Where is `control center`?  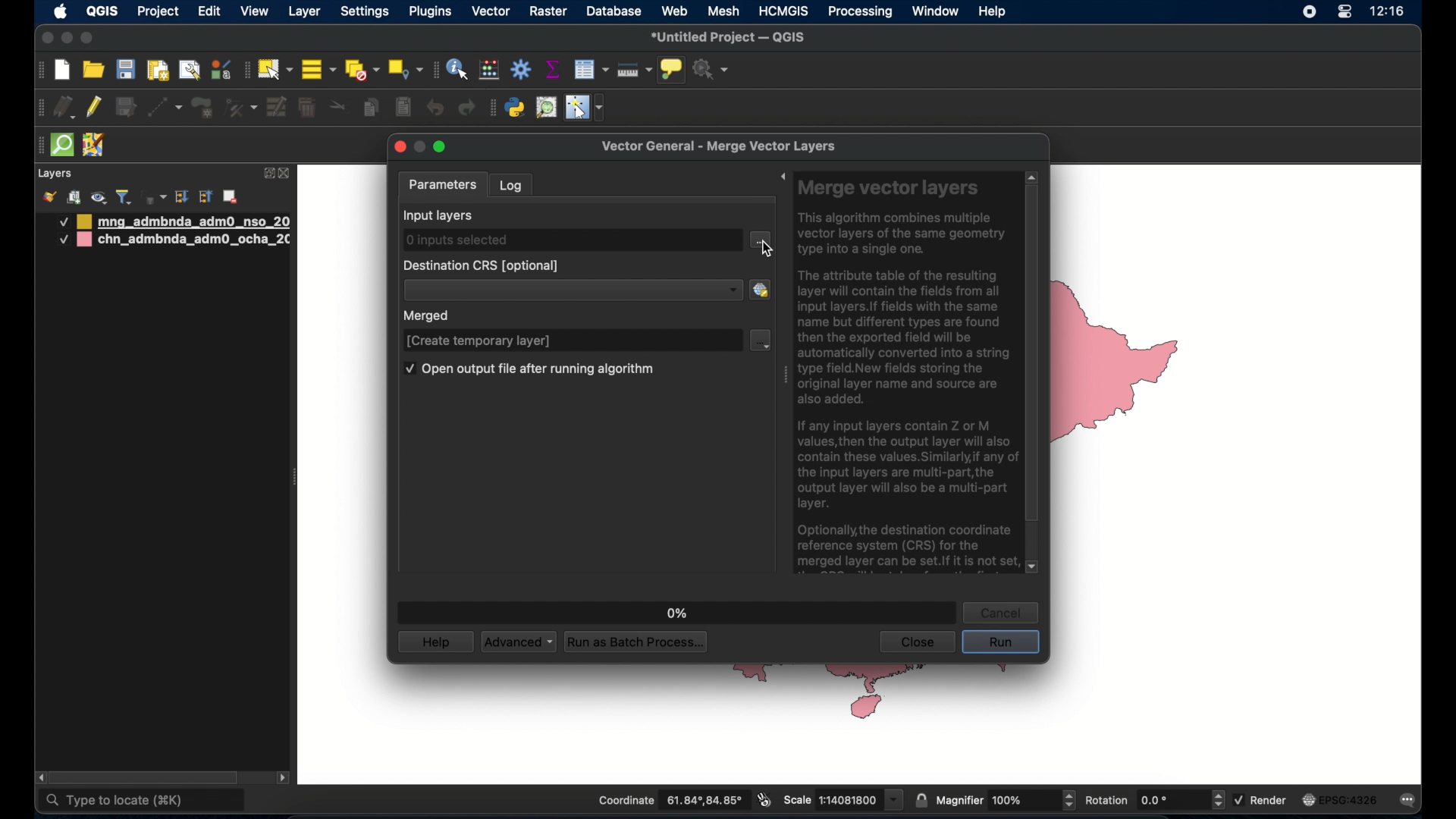
control center is located at coordinates (1344, 13).